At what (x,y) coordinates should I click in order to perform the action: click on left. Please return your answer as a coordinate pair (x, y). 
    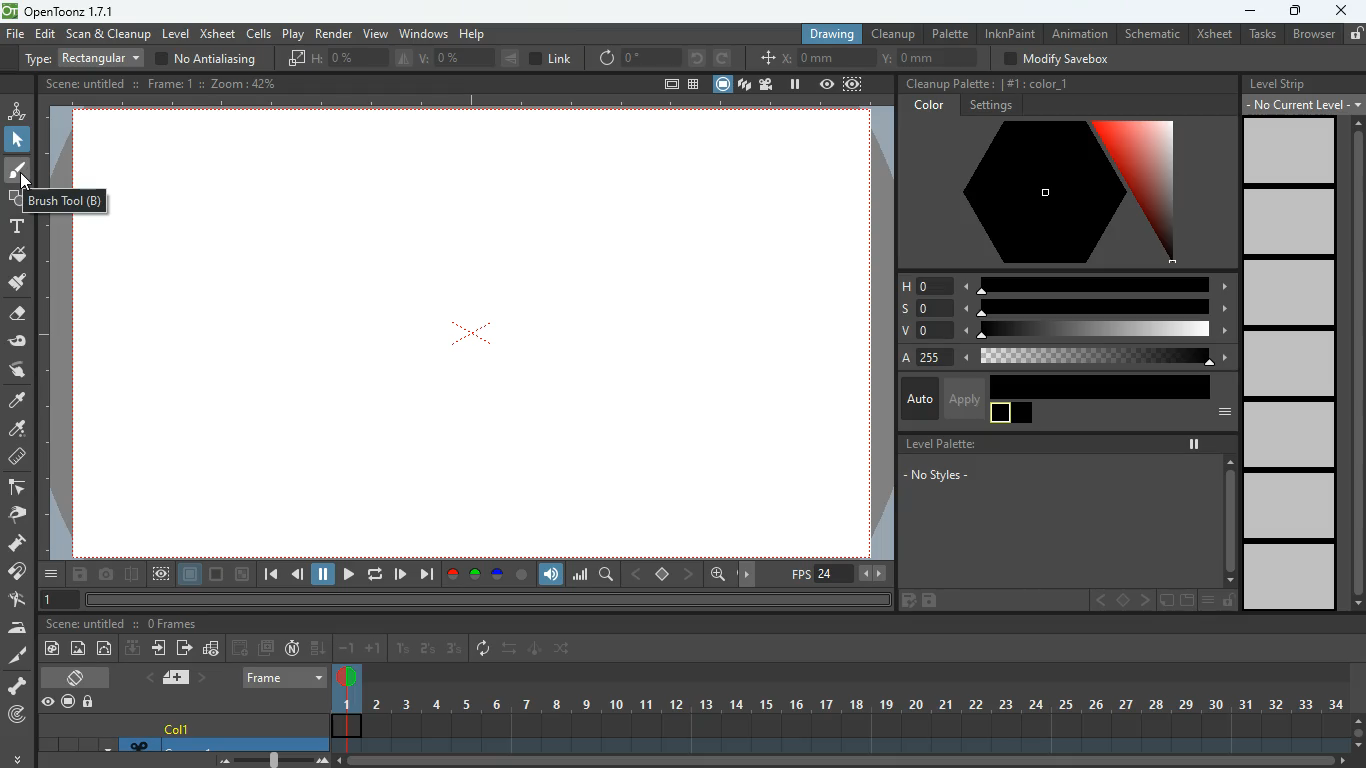
    Looking at the image, I should click on (634, 574).